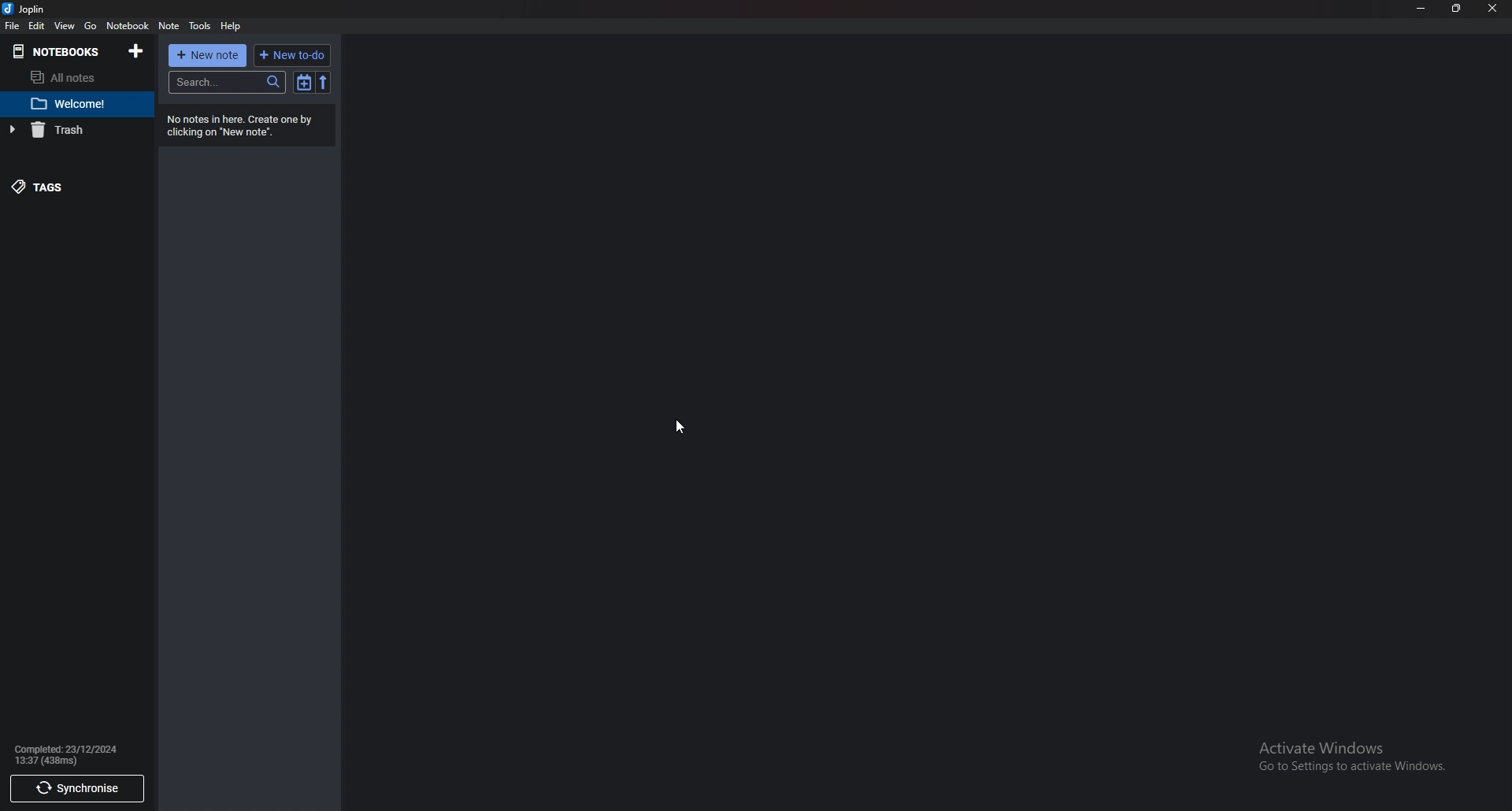 The width and height of the screenshot is (1512, 811). Describe the element at coordinates (13, 26) in the screenshot. I see `file` at that location.